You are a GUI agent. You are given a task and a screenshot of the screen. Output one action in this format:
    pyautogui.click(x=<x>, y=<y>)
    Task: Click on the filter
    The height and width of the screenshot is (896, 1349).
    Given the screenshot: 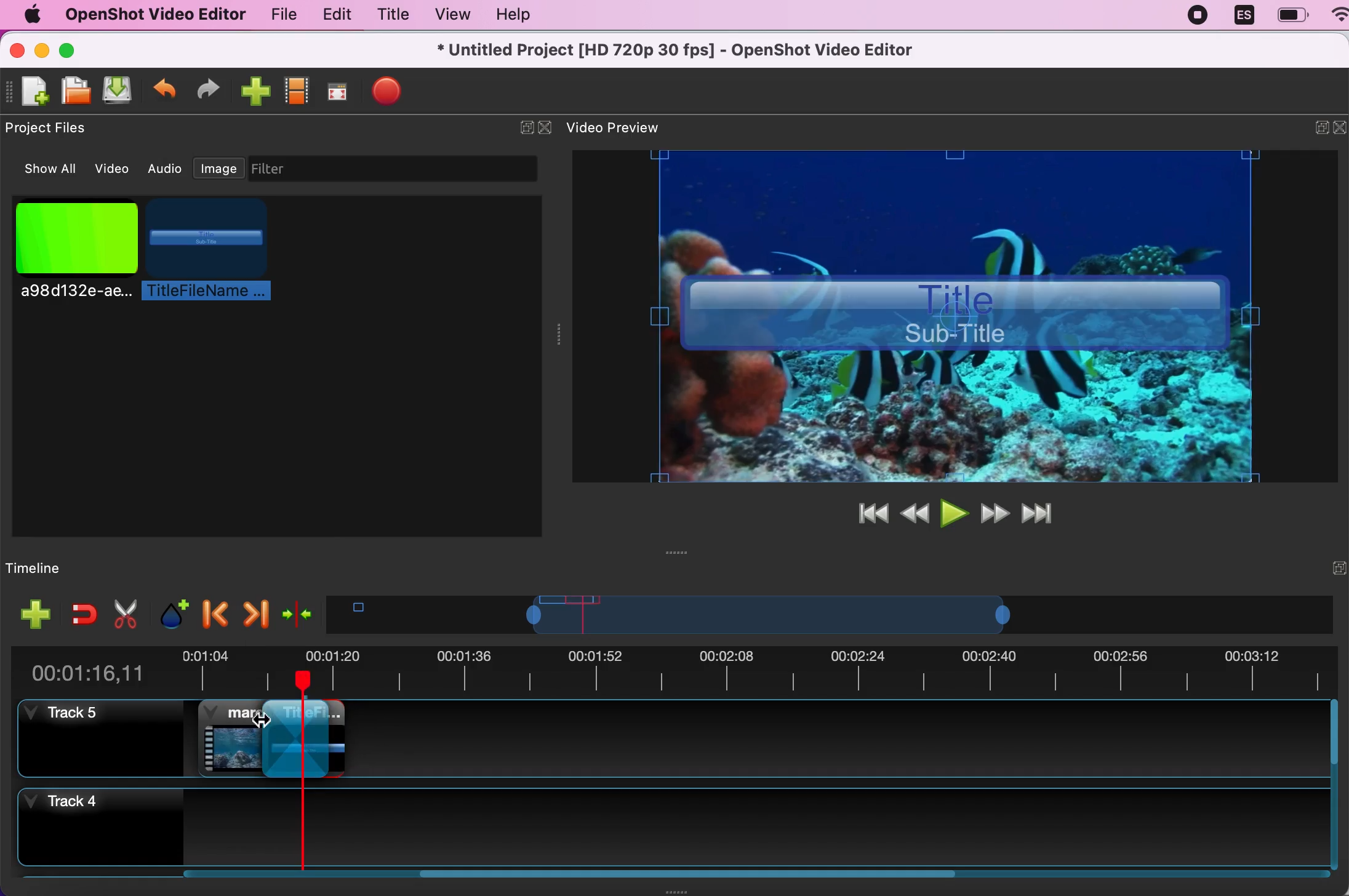 What is the action you would take?
    pyautogui.click(x=404, y=169)
    